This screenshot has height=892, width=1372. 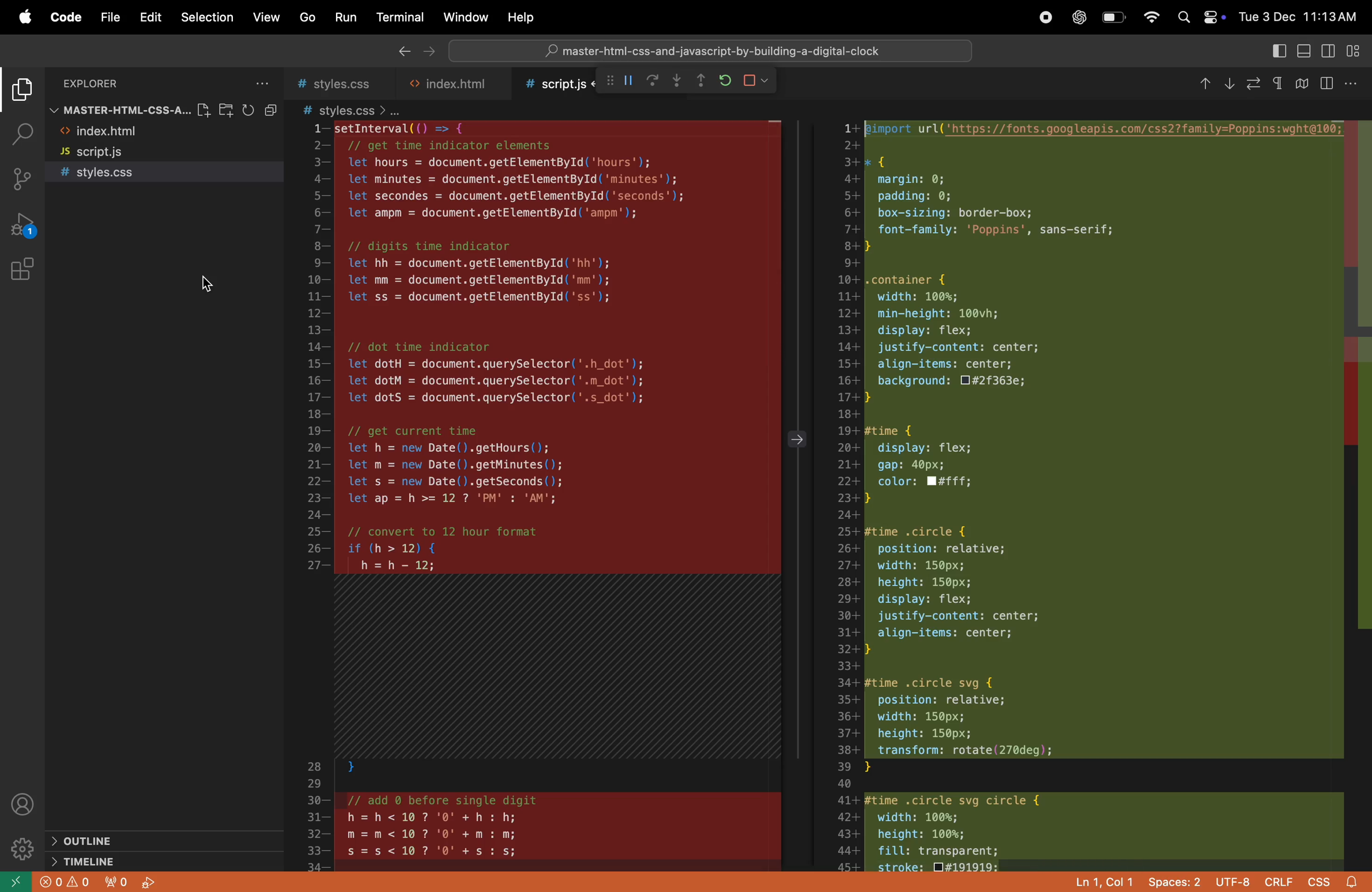 I want to click on collapse file explorer, so click(x=272, y=109).